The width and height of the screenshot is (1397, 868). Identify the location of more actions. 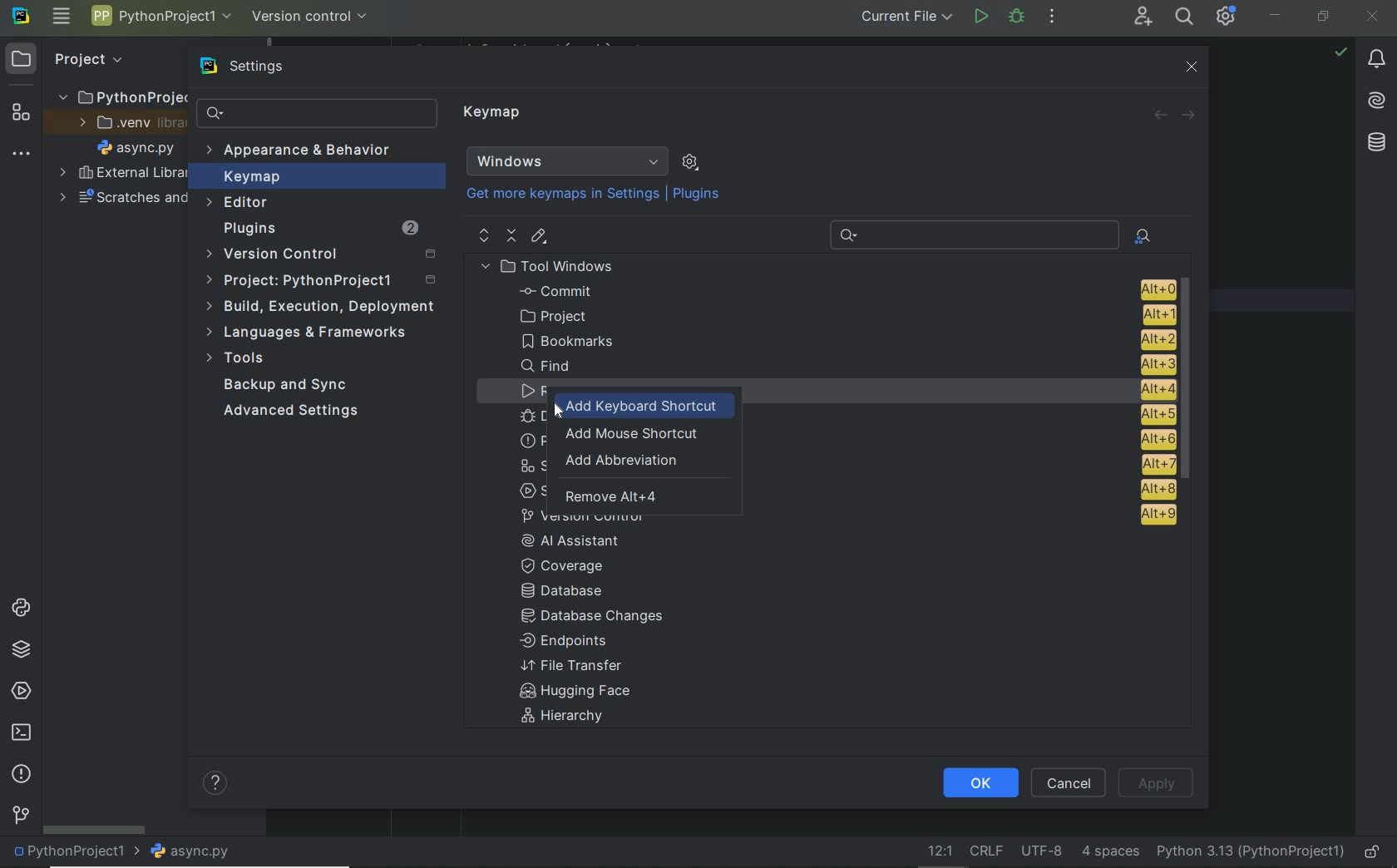
(1052, 17).